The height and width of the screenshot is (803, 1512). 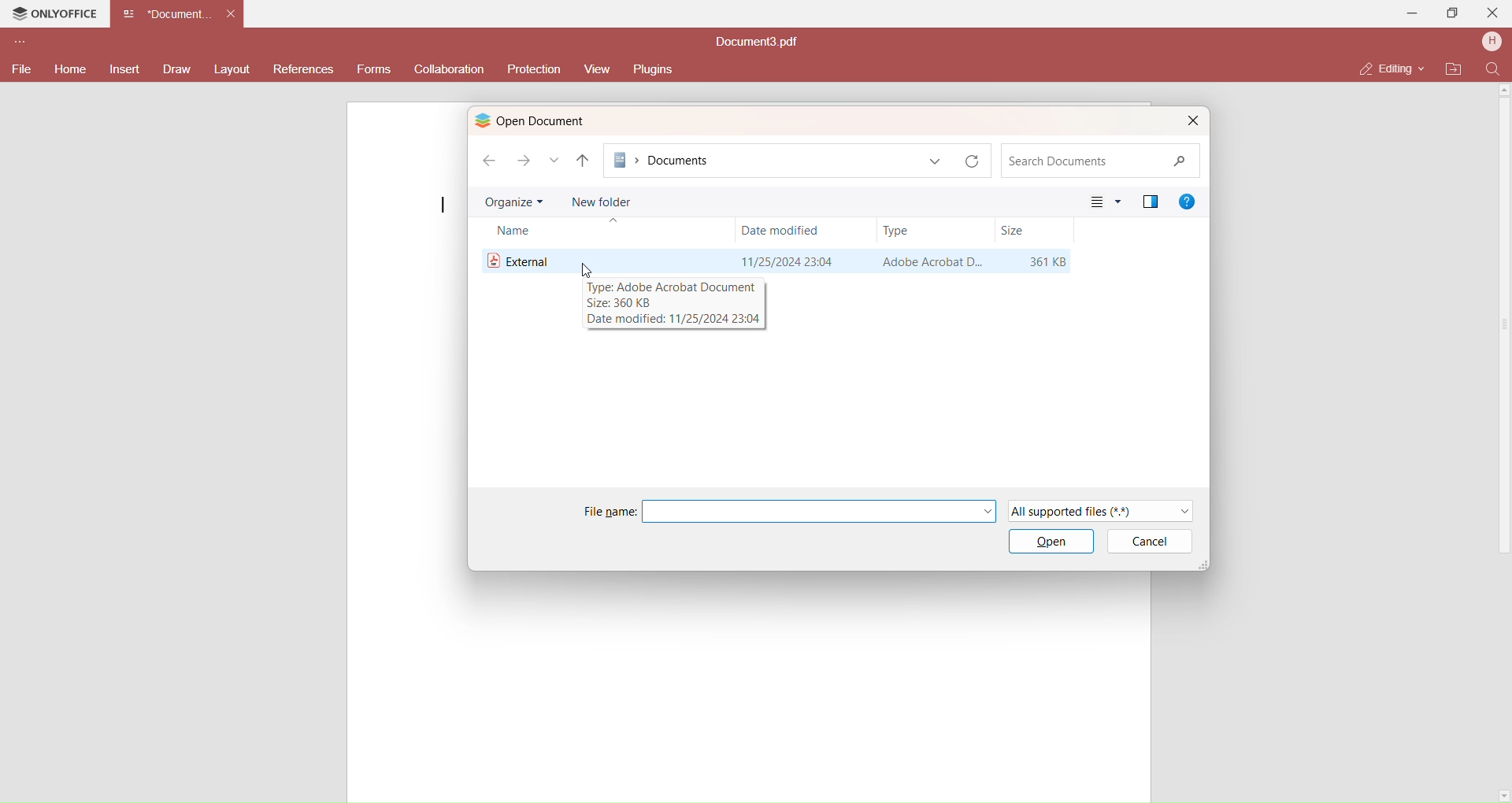 I want to click on Editing, so click(x=1385, y=68).